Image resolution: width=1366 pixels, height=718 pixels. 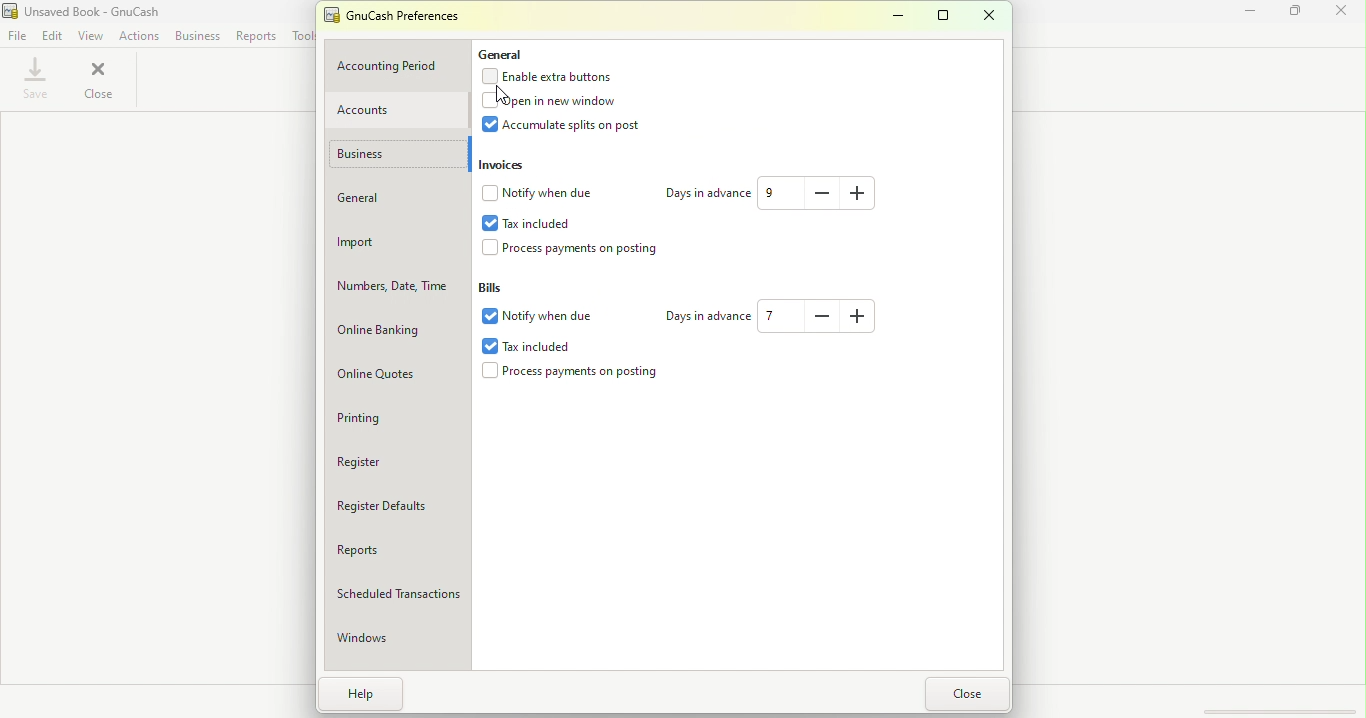 I want to click on Days in advance, so click(x=709, y=316).